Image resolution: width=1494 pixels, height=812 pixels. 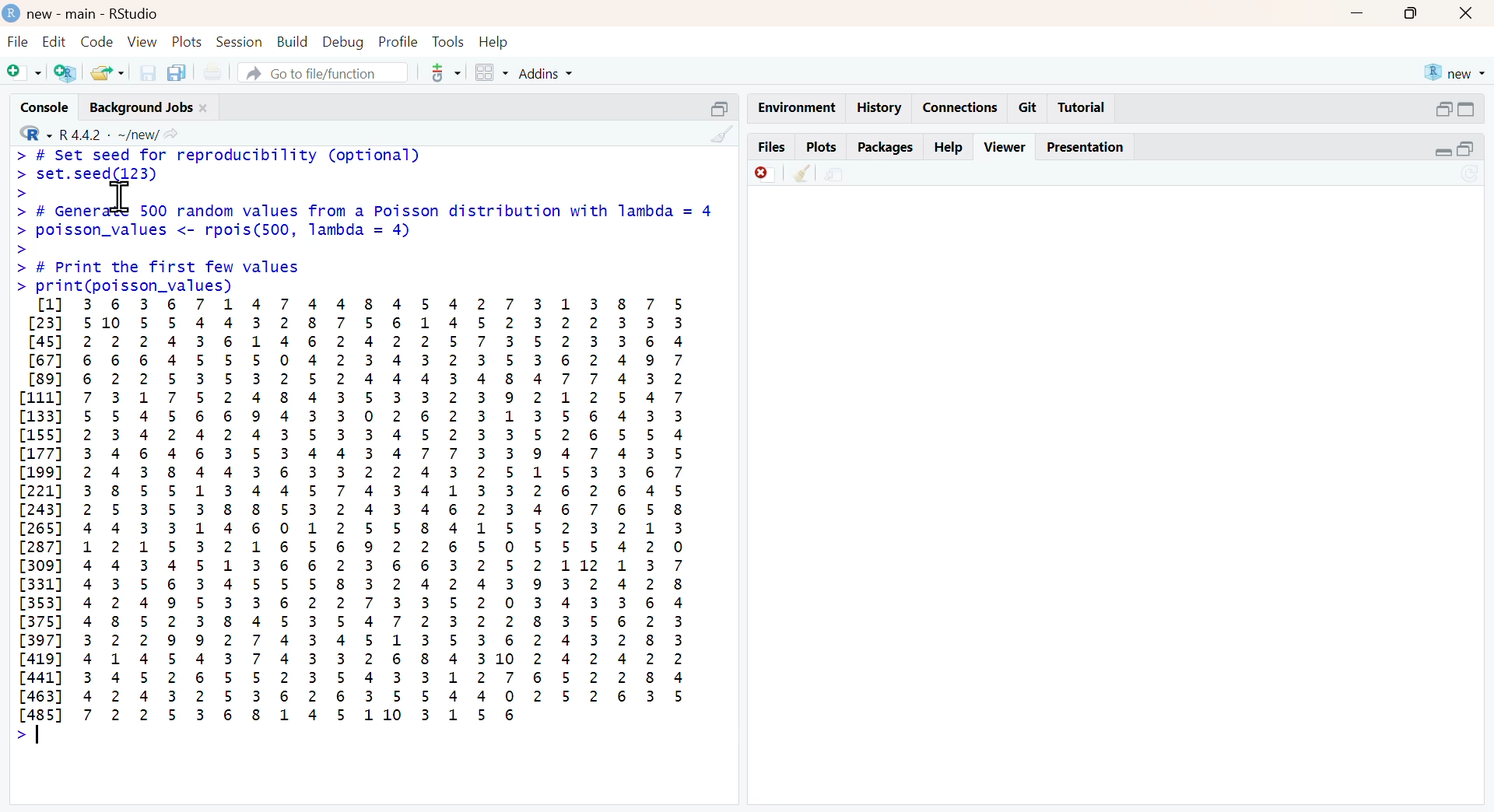 I want to click on tools, so click(x=450, y=41).